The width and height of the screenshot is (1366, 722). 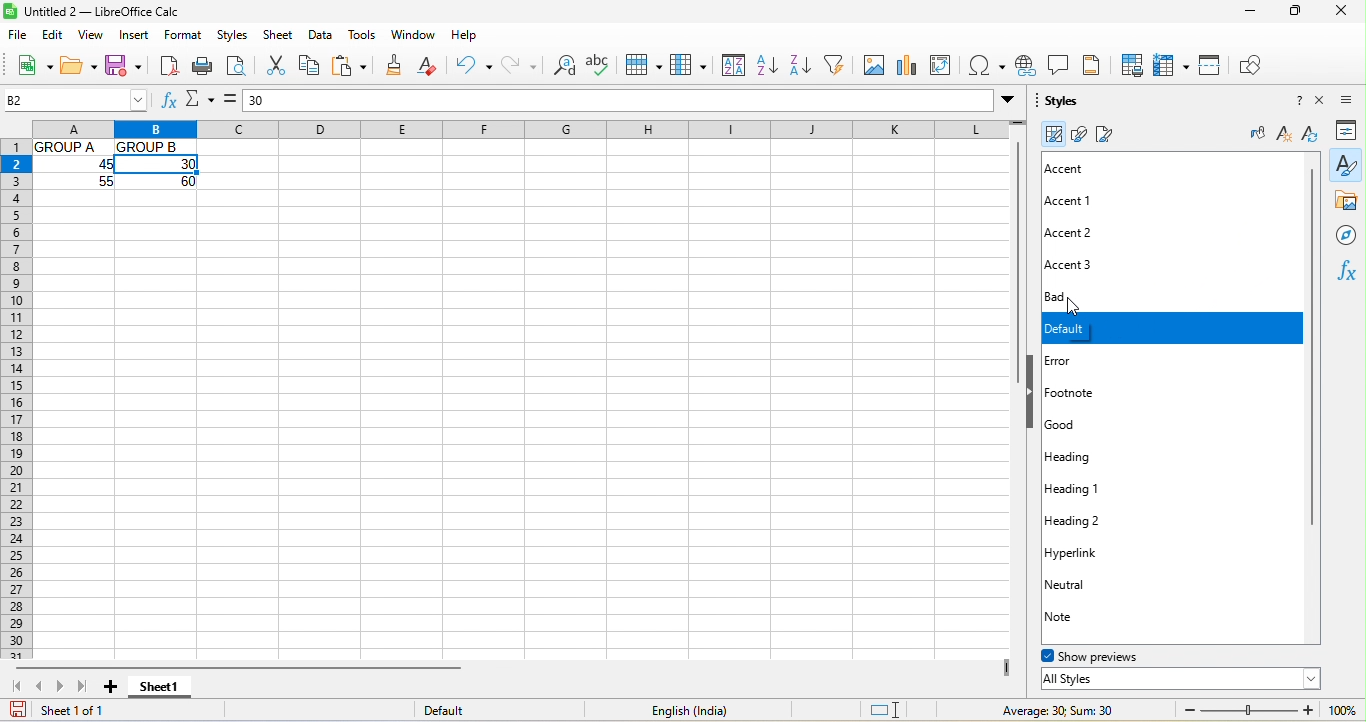 I want to click on insert, so click(x=138, y=37).